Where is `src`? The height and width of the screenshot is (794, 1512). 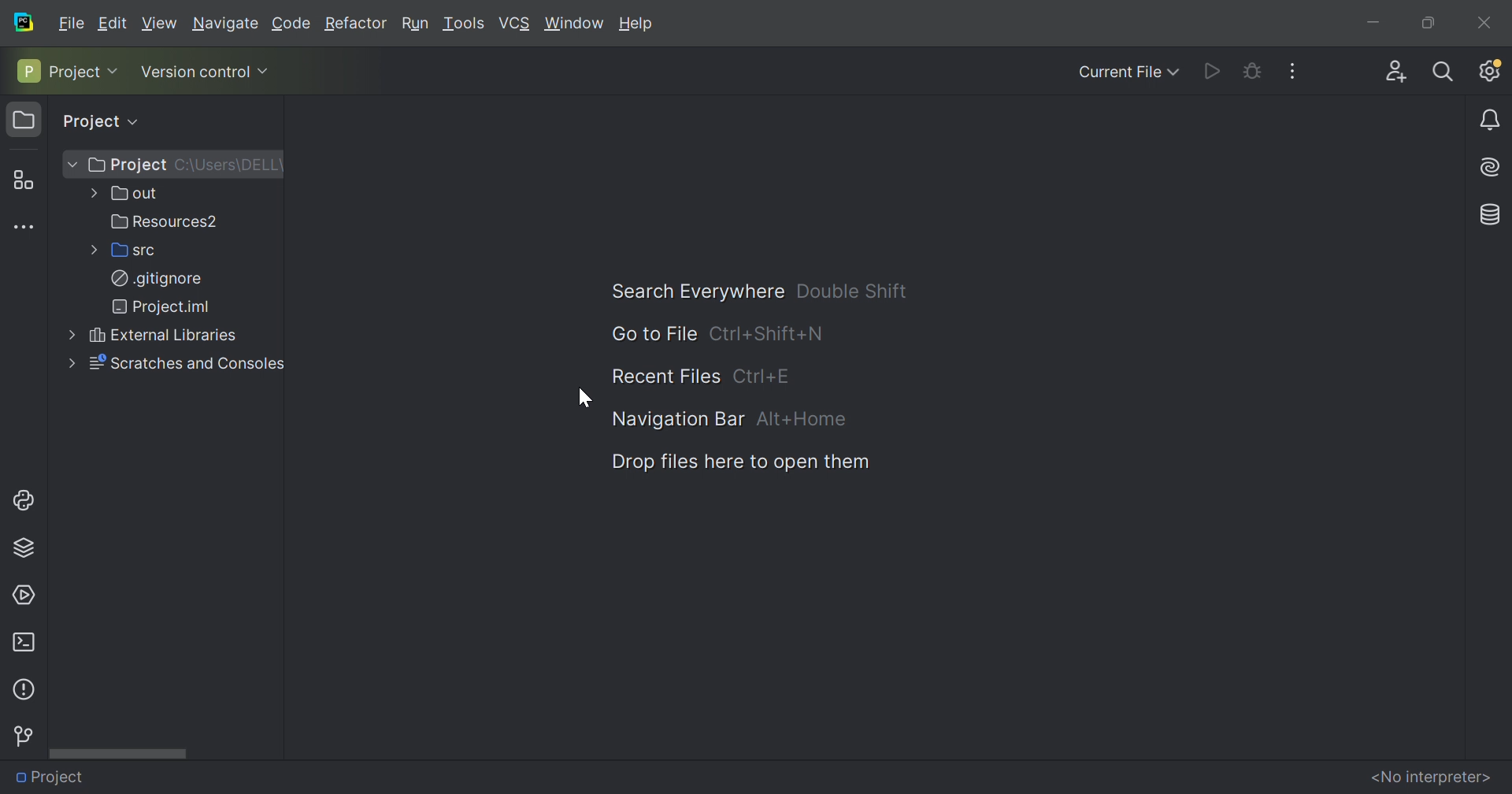 src is located at coordinates (130, 250).